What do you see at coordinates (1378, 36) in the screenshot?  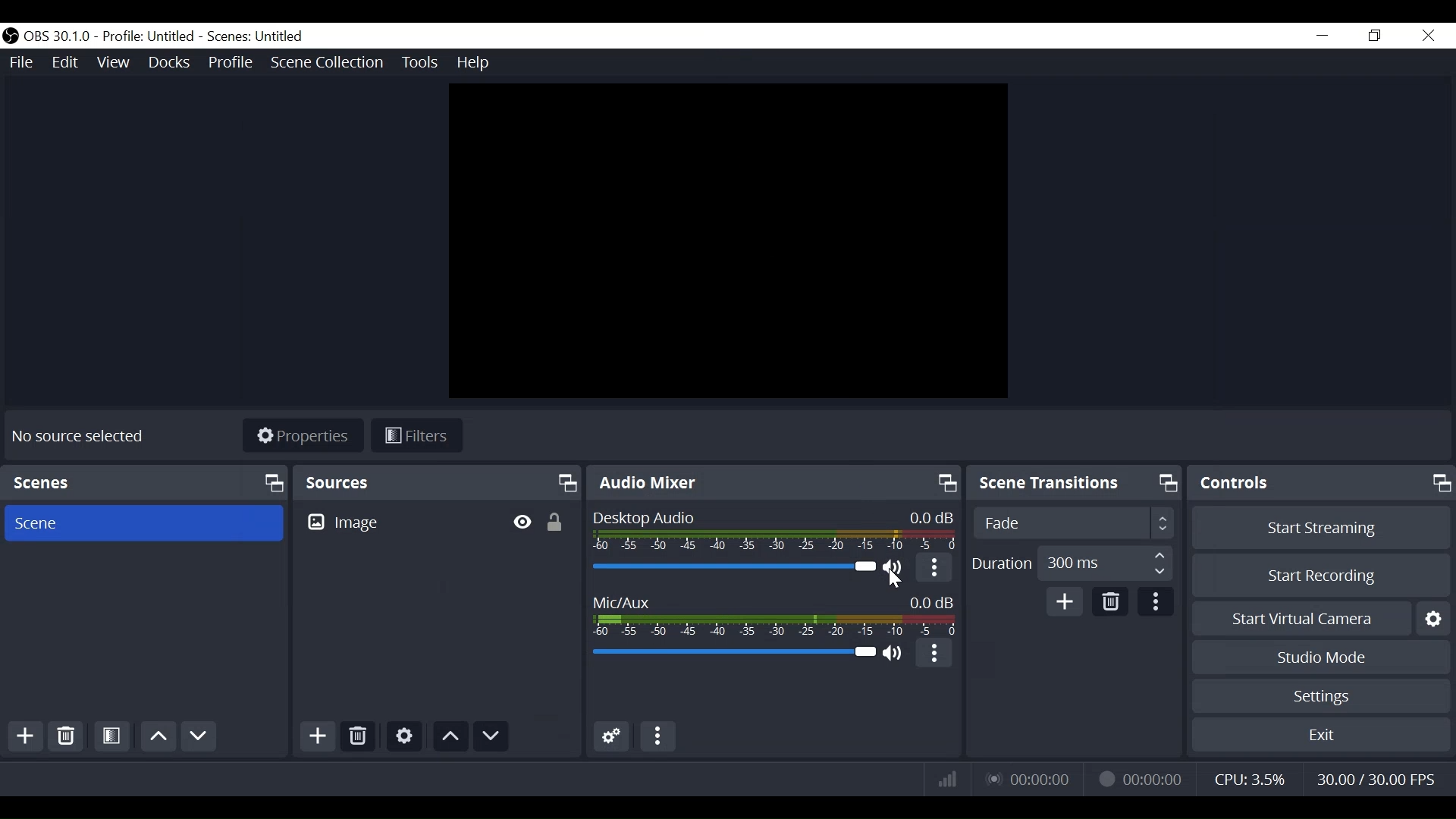 I see `Restore` at bounding box center [1378, 36].